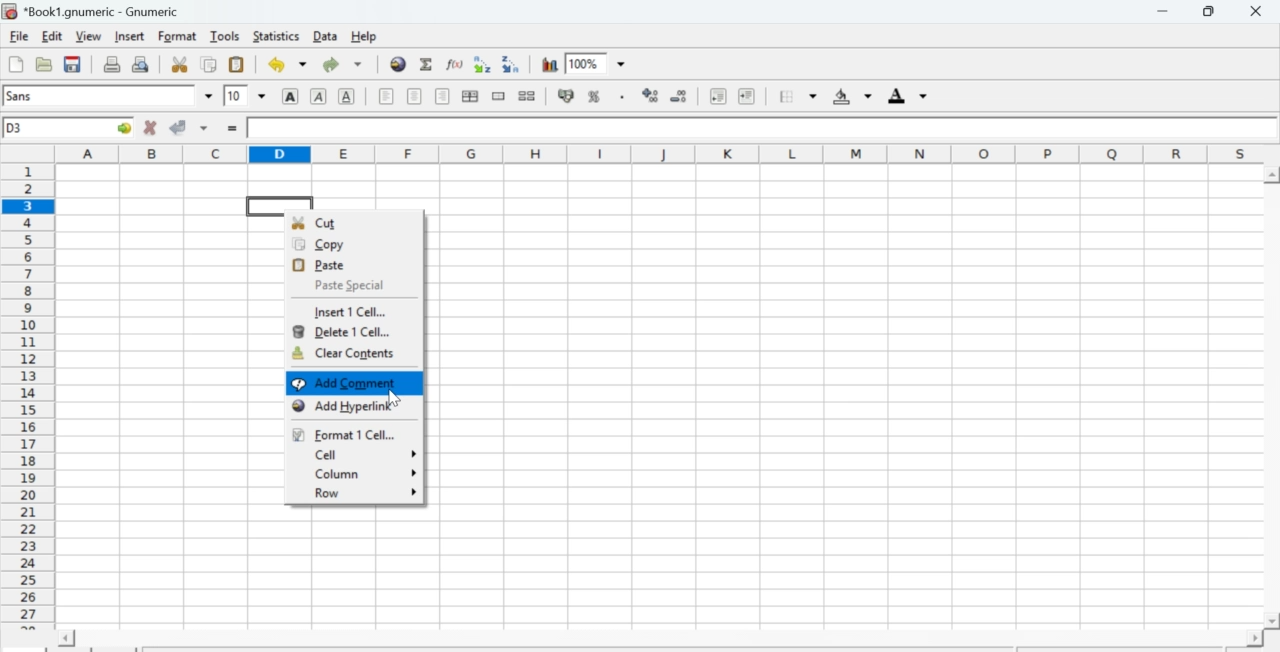  Describe the element at coordinates (148, 127) in the screenshot. I see `Cancel change` at that location.